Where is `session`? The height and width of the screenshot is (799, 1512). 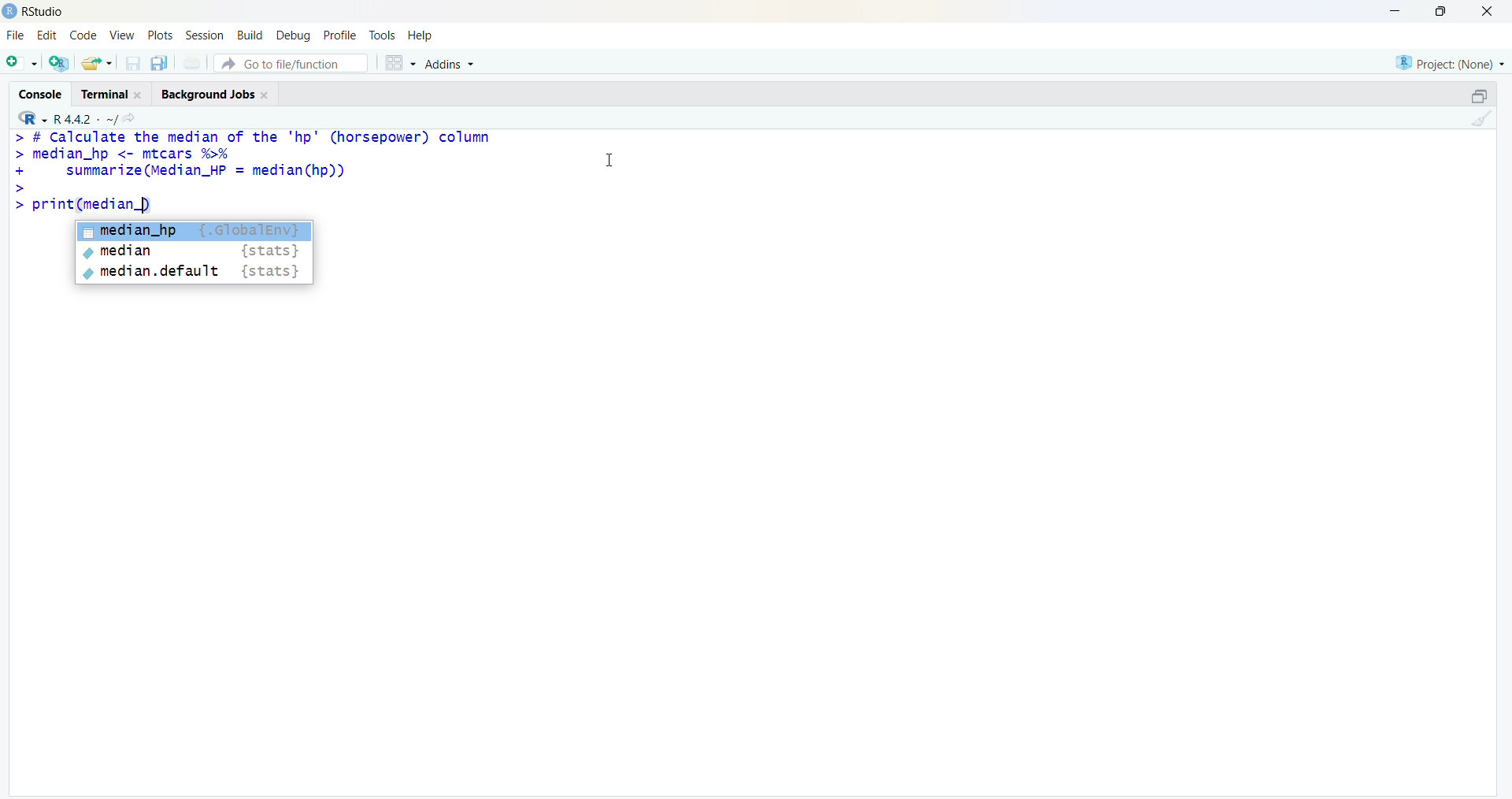 session is located at coordinates (205, 35).